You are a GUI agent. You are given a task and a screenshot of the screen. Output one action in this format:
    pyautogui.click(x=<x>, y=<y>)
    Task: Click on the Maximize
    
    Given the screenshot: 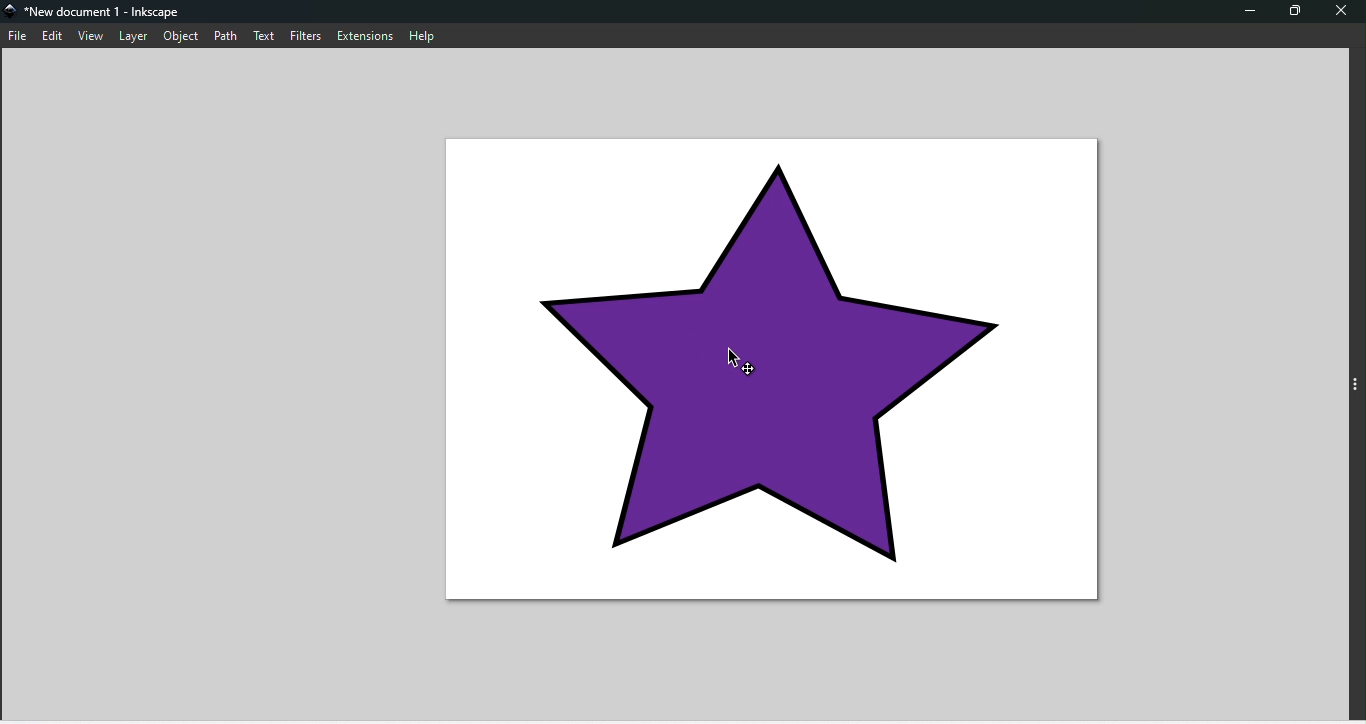 What is the action you would take?
    pyautogui.click(x=1295, y=10)
    